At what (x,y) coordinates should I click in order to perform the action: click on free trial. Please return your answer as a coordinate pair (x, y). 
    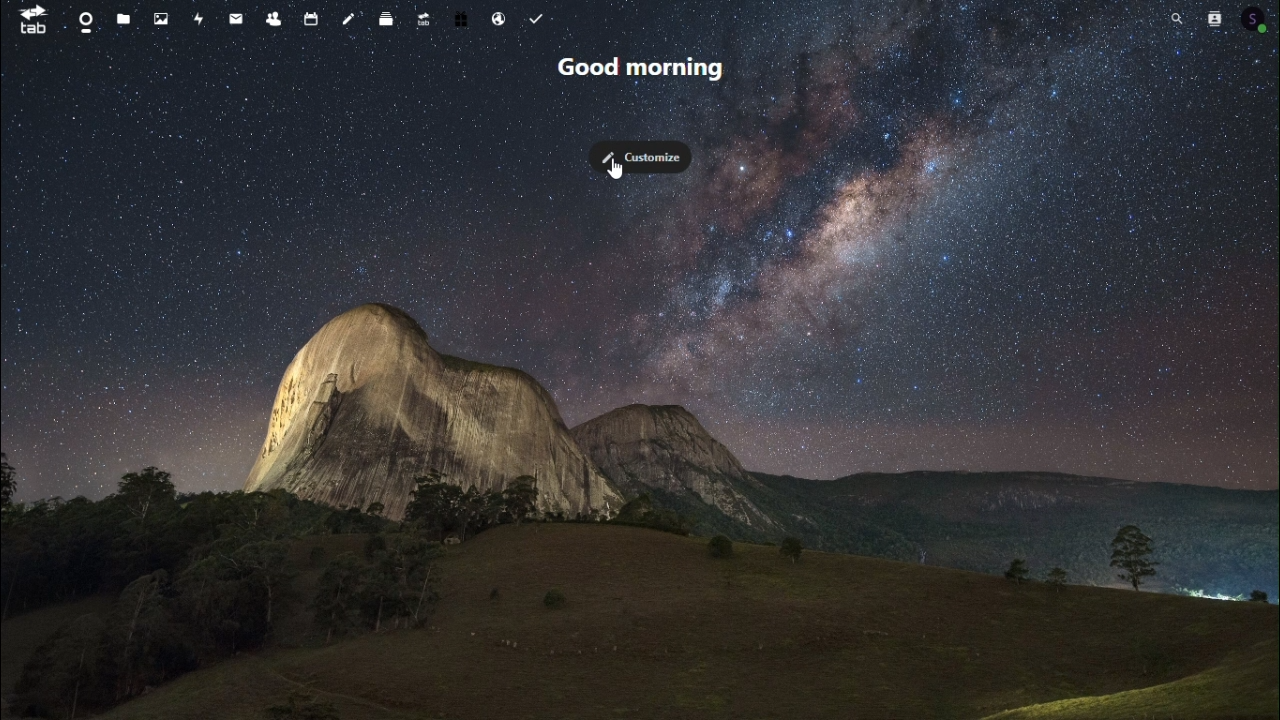
    Looking at the image, I should click on (461, 17).